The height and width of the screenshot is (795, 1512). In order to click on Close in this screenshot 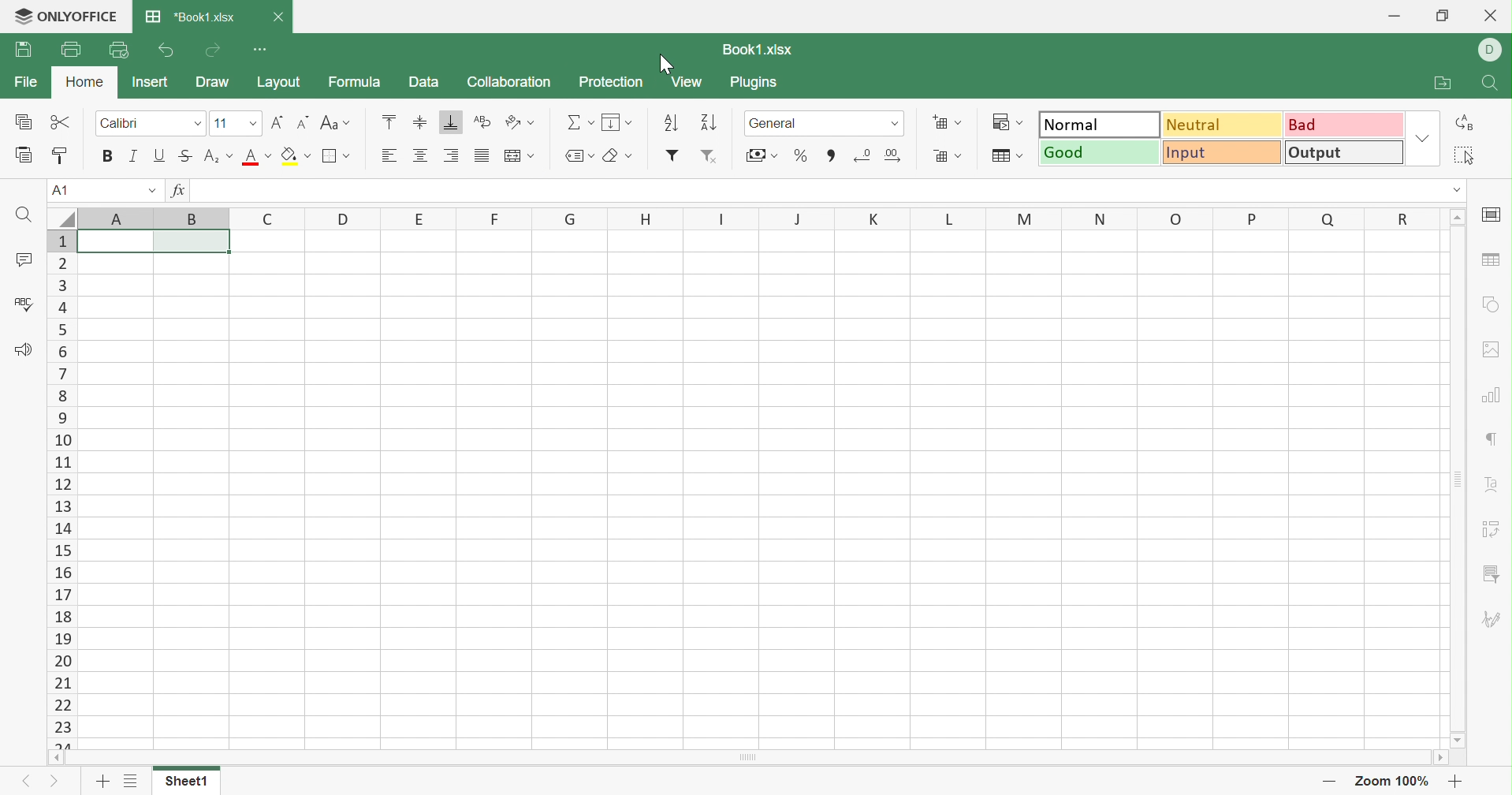, I will do `click(285, 18)`.